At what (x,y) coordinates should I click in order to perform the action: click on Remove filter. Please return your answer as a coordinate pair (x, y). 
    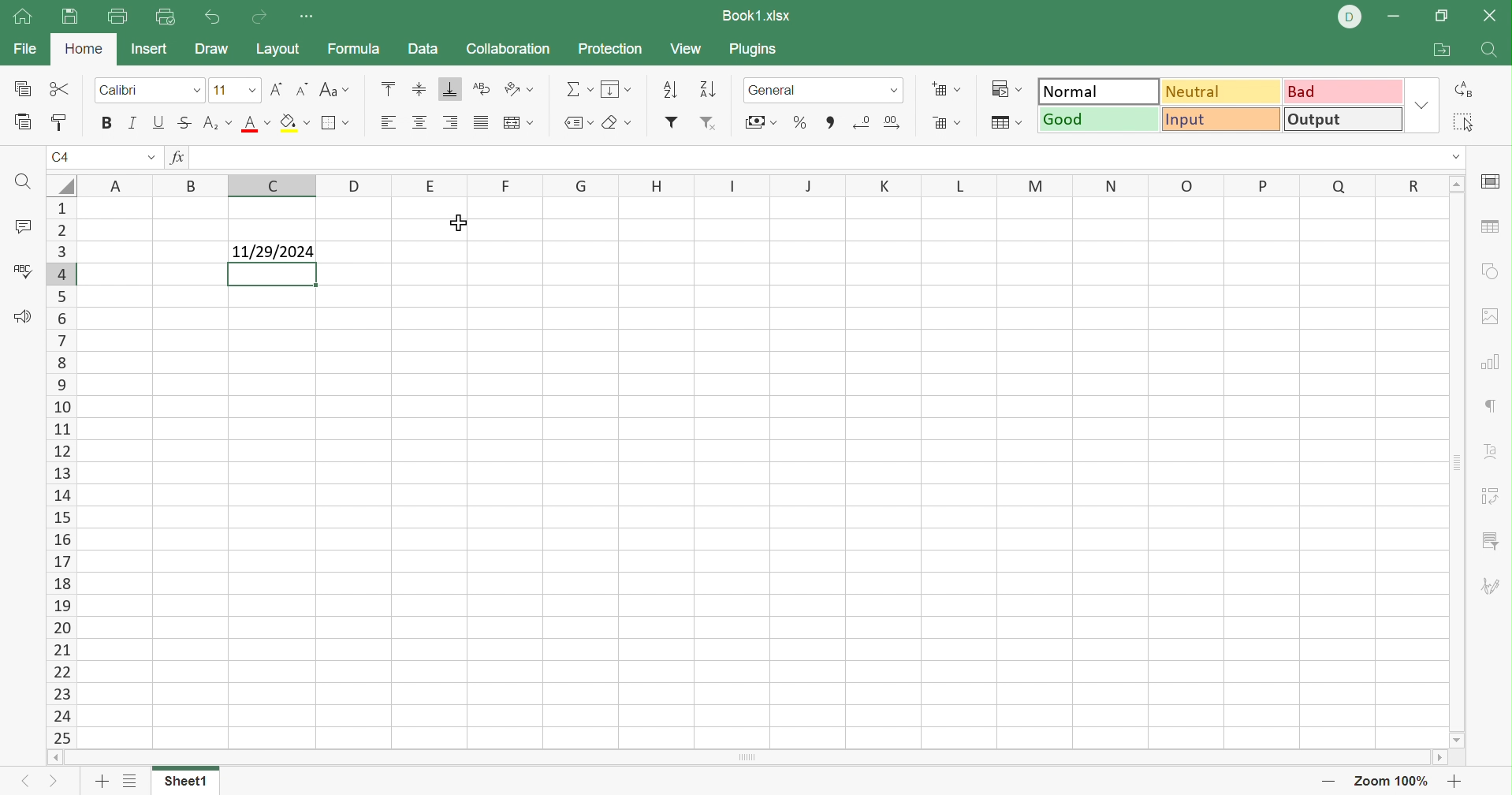
    Looking at the image, I should click on (710, 122).